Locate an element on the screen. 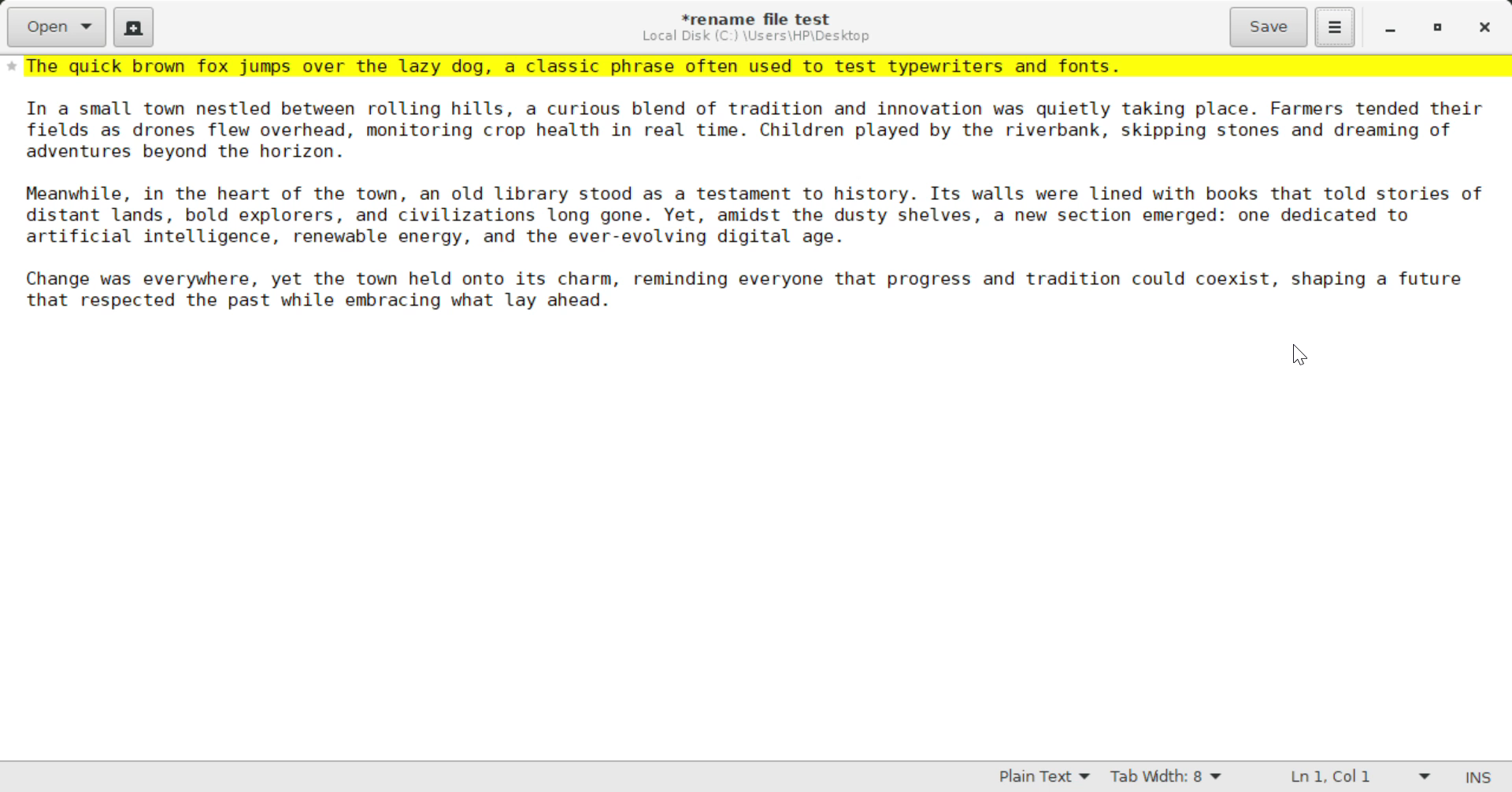 The width and height of the screenshot is (1512, 792). Restore Down is located at coordinates (1390, 29).